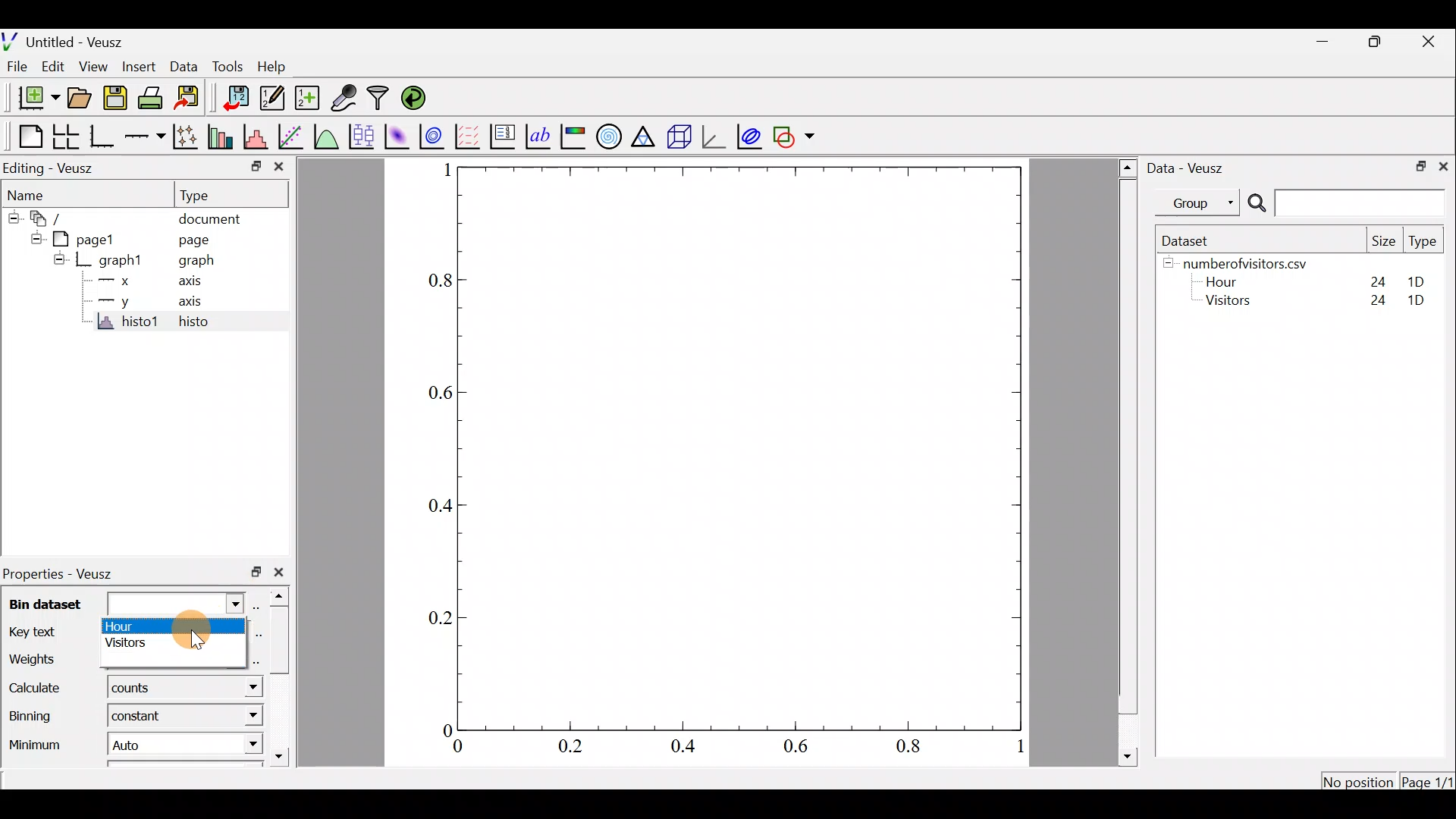  I want to click on page, so click(196, 240).